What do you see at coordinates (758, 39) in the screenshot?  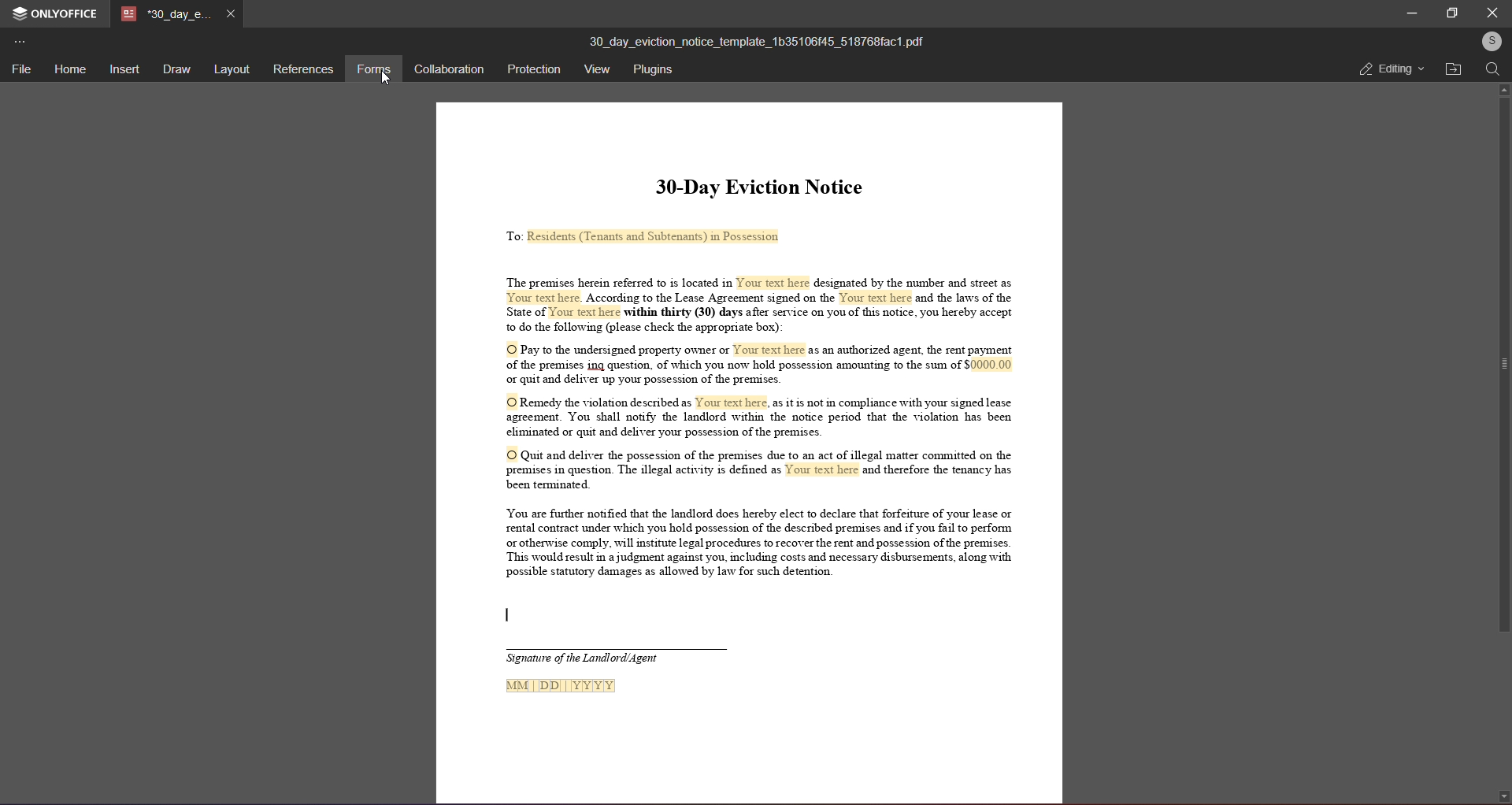 I see `(title)30_day_eviction_notice_template_1b35106145_518768fact.pdf` at bounding box center [758, 39].